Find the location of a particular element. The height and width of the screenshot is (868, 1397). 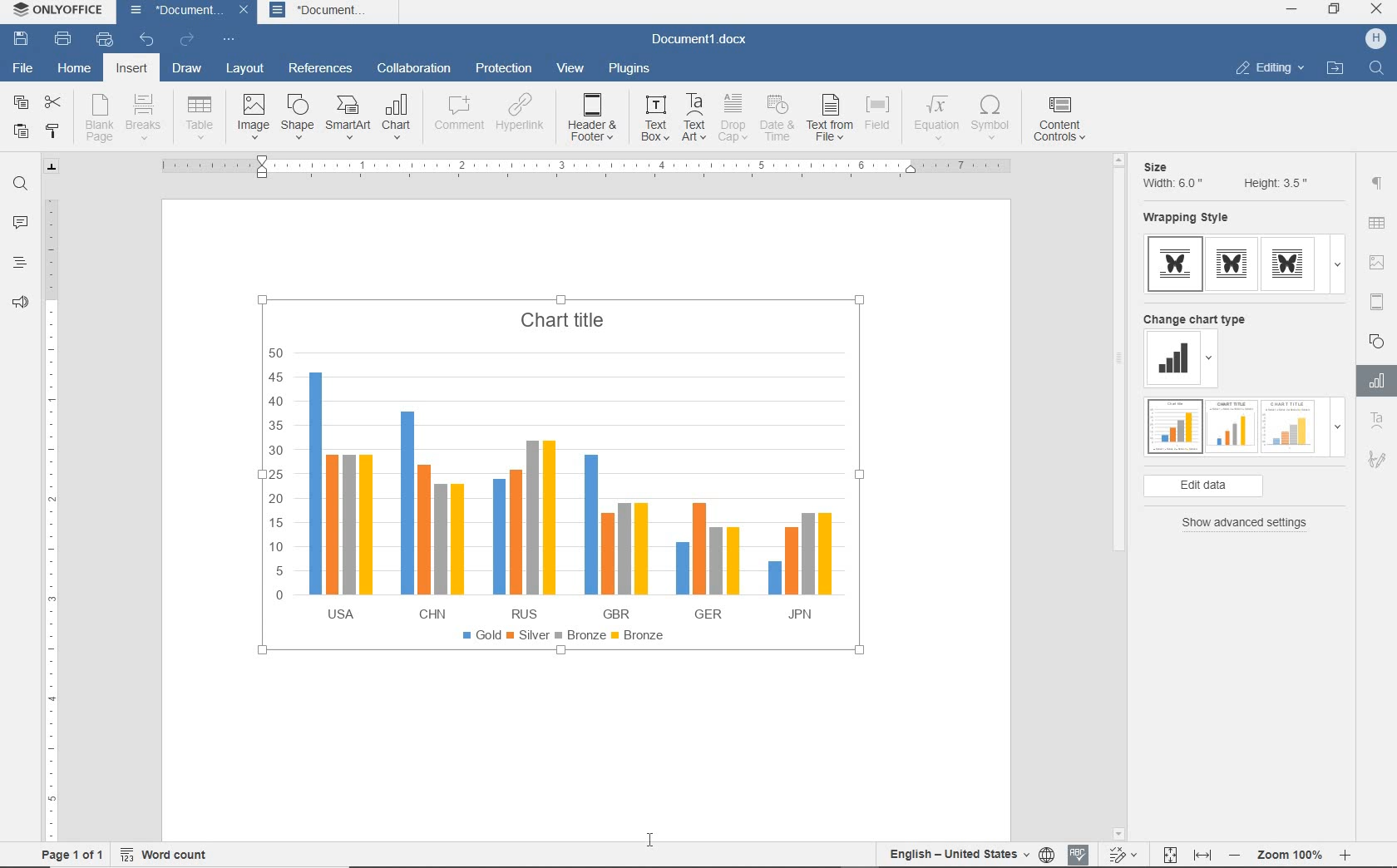

header & footer is located at coordinates (1376, 301).